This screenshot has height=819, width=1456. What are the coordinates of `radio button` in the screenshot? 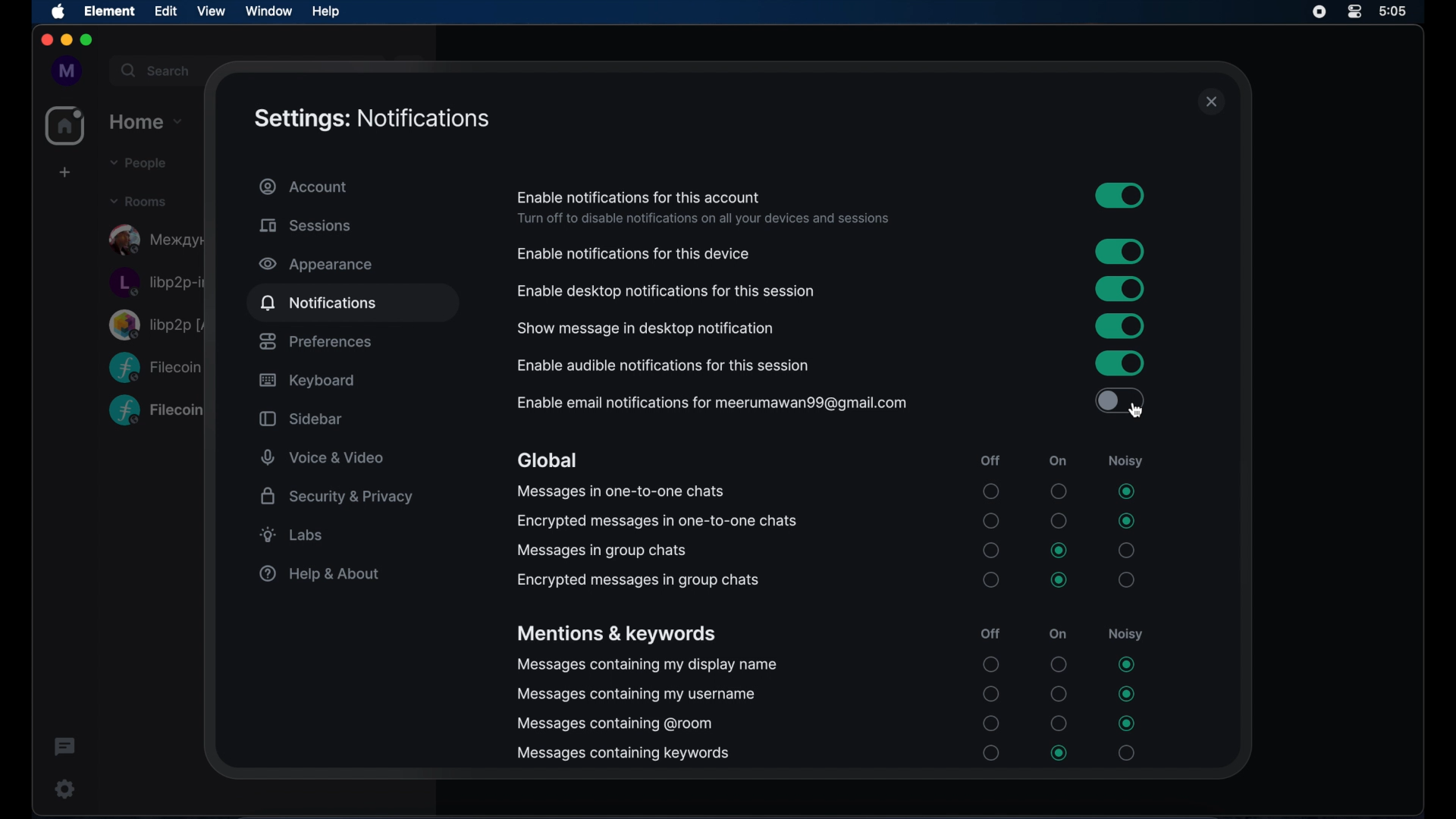 It's located at (991, 694).